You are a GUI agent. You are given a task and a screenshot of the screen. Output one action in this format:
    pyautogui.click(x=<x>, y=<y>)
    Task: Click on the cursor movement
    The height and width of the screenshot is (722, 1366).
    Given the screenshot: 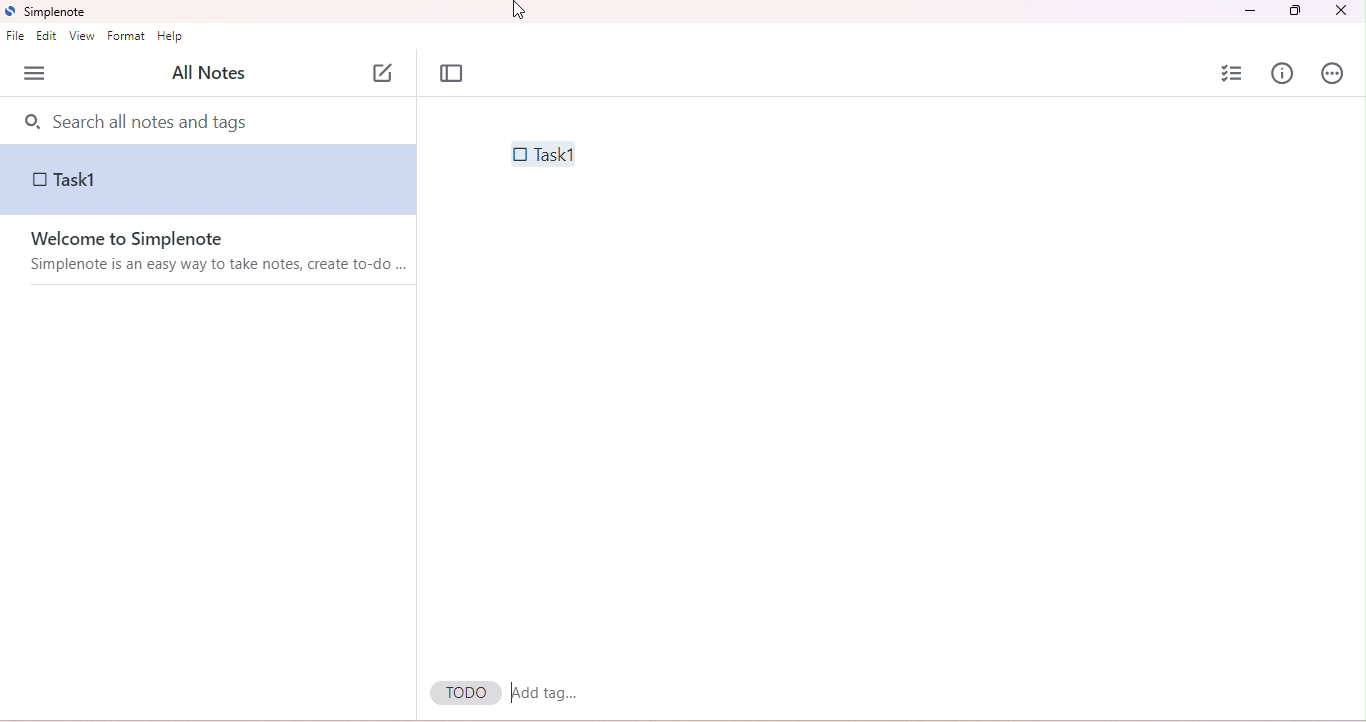 What is the action you would take?
    pyautogui.click(x=517, y=13)
    